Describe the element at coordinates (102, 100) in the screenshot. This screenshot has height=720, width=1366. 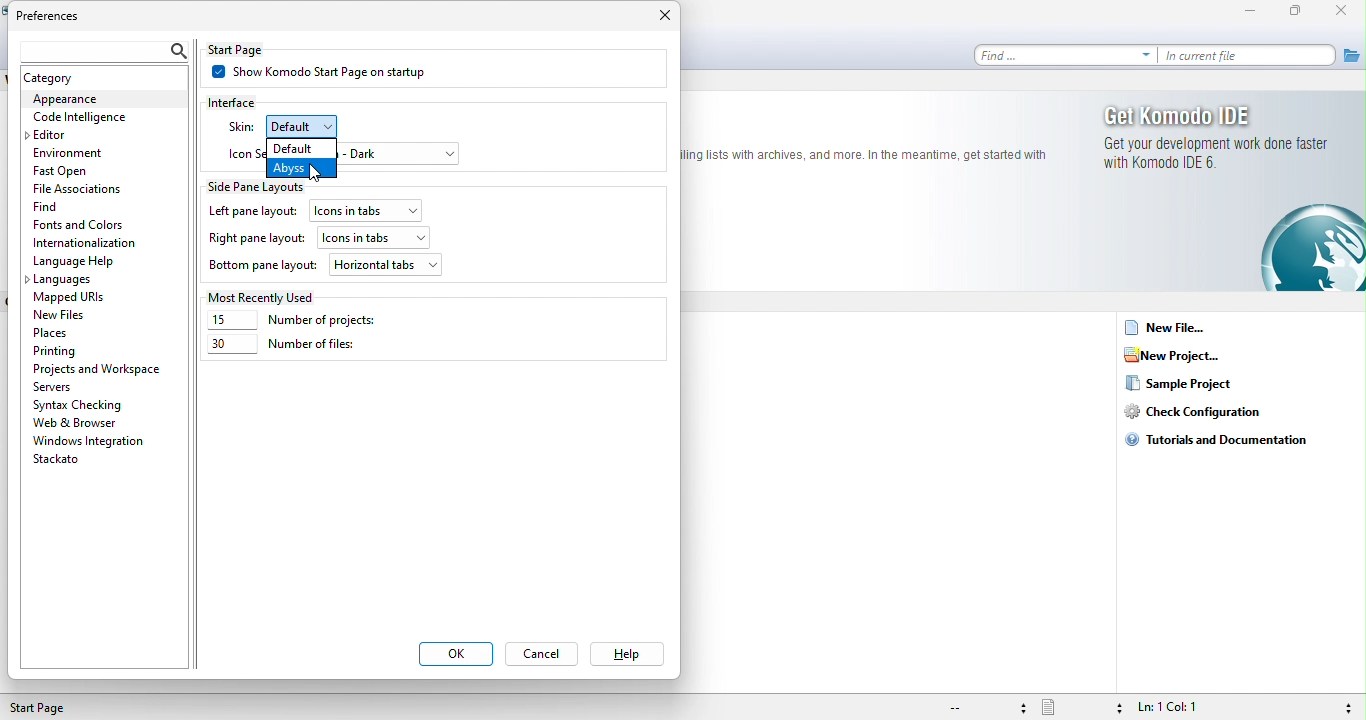
I see `appearence` at that location.